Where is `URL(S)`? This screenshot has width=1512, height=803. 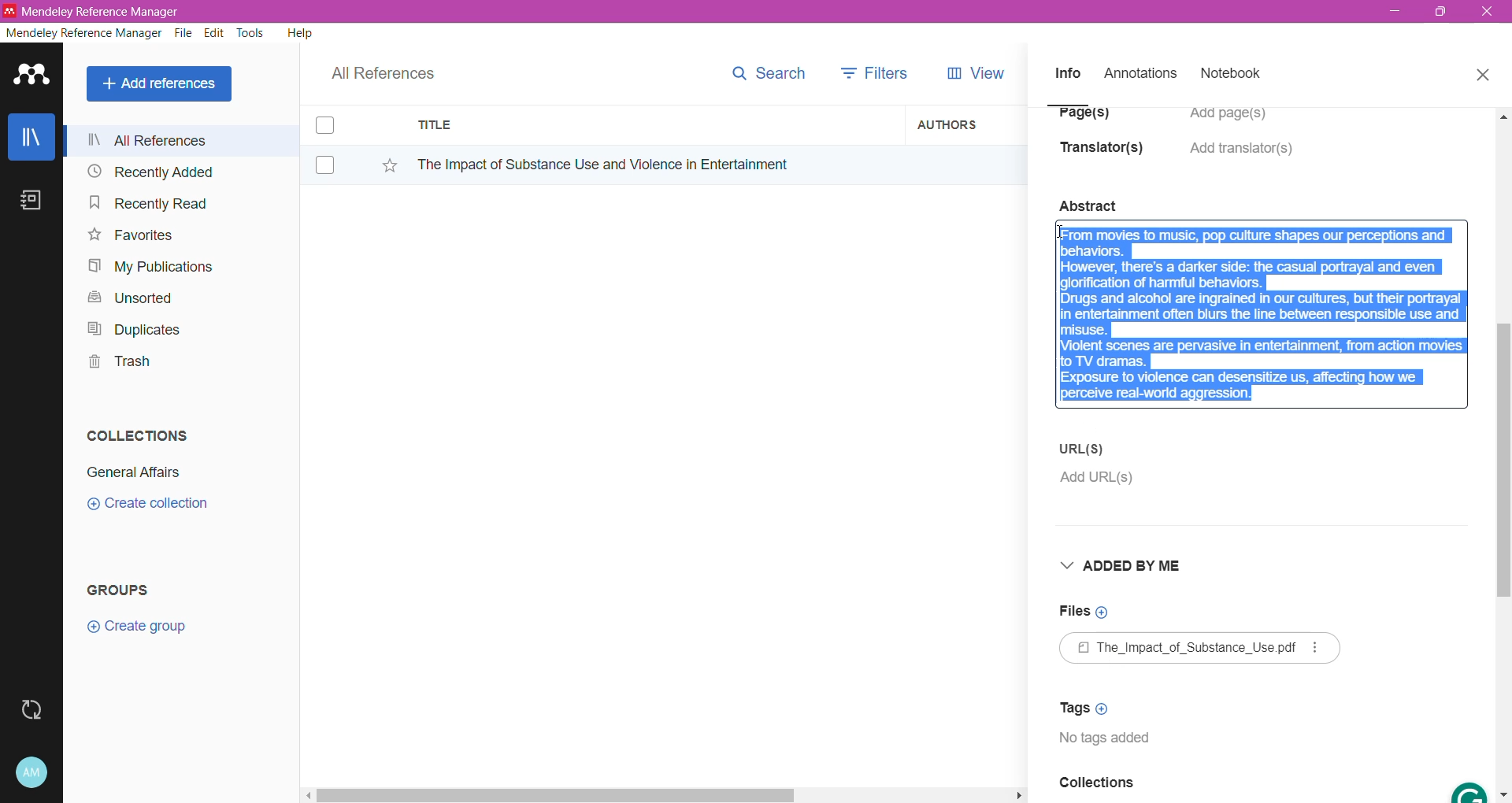
URL(S) is located at coordinates (1085, 448).